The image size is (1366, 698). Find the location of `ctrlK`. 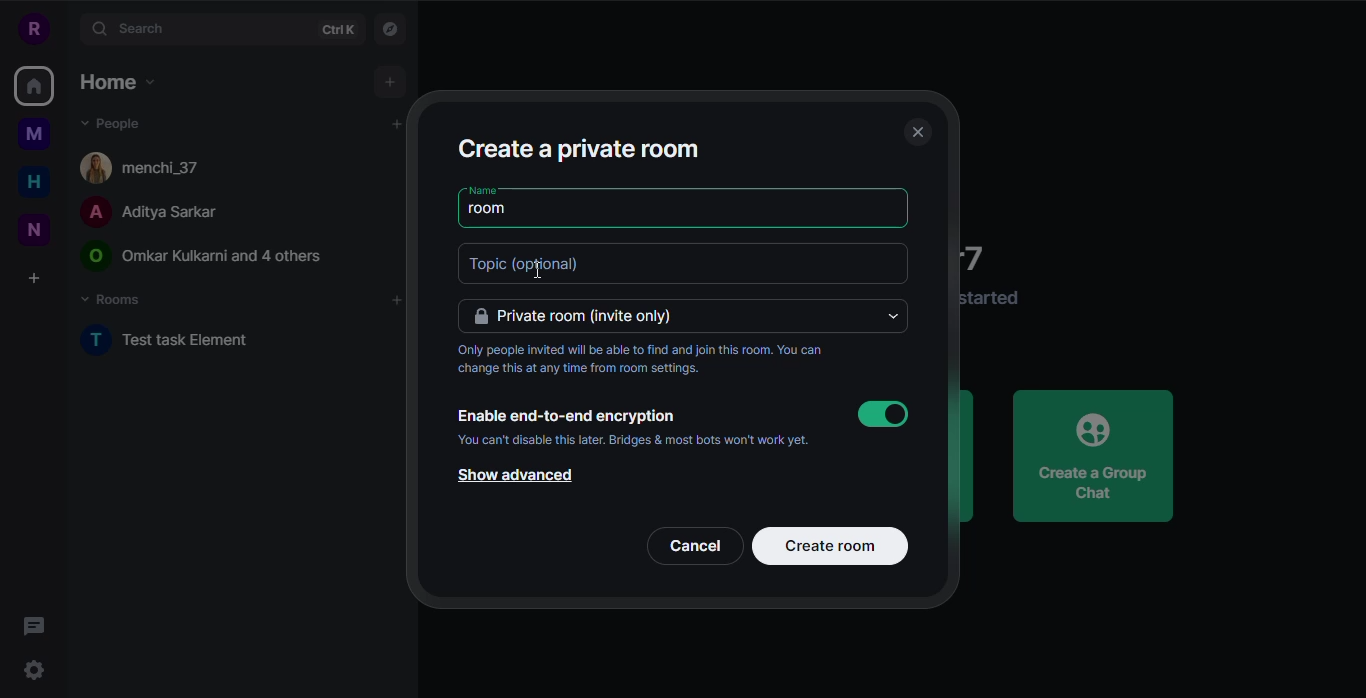

ctrlK is located at coordinates (337, 31).